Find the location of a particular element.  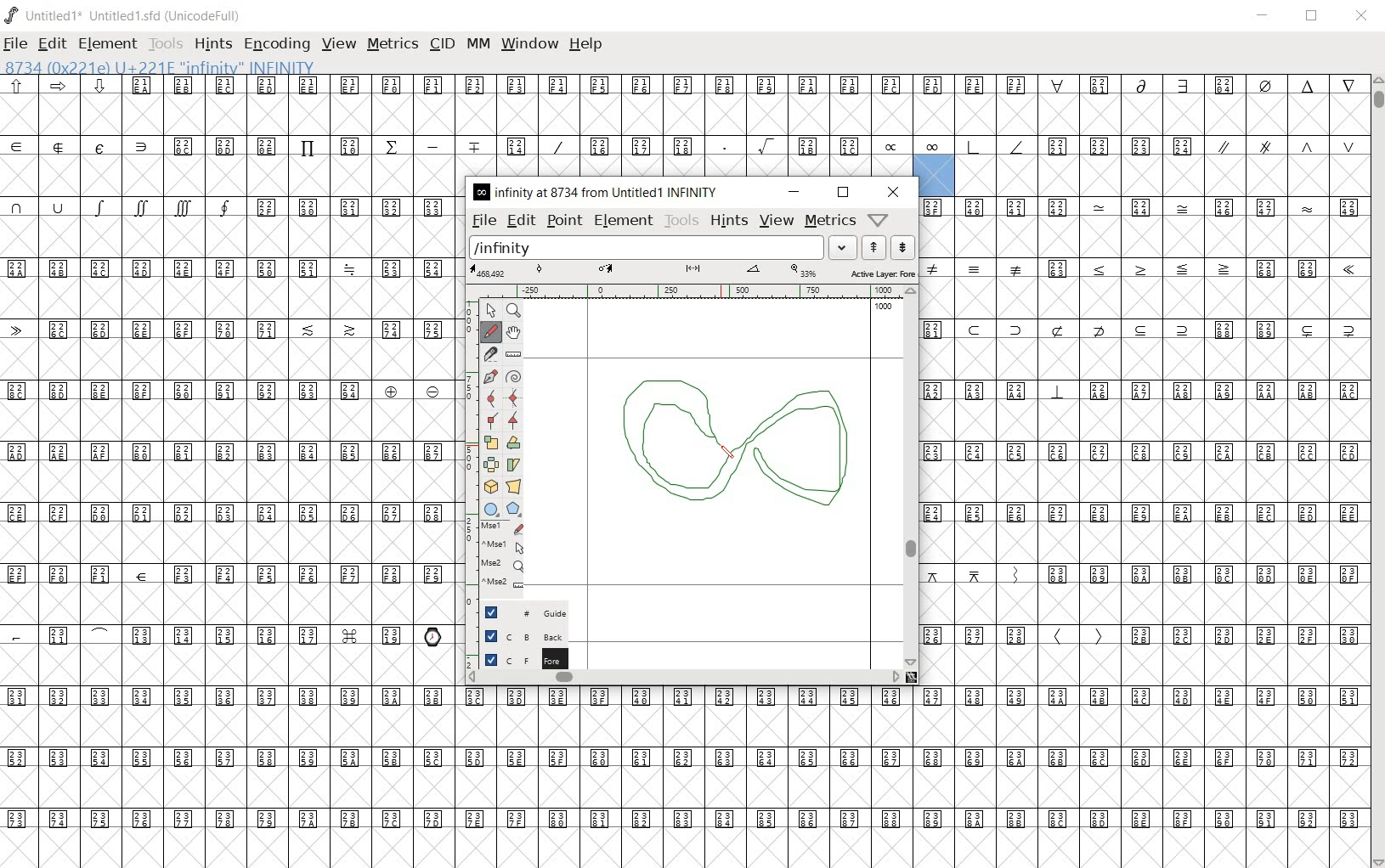

Unicode code points is located at coordinates (982, 635).